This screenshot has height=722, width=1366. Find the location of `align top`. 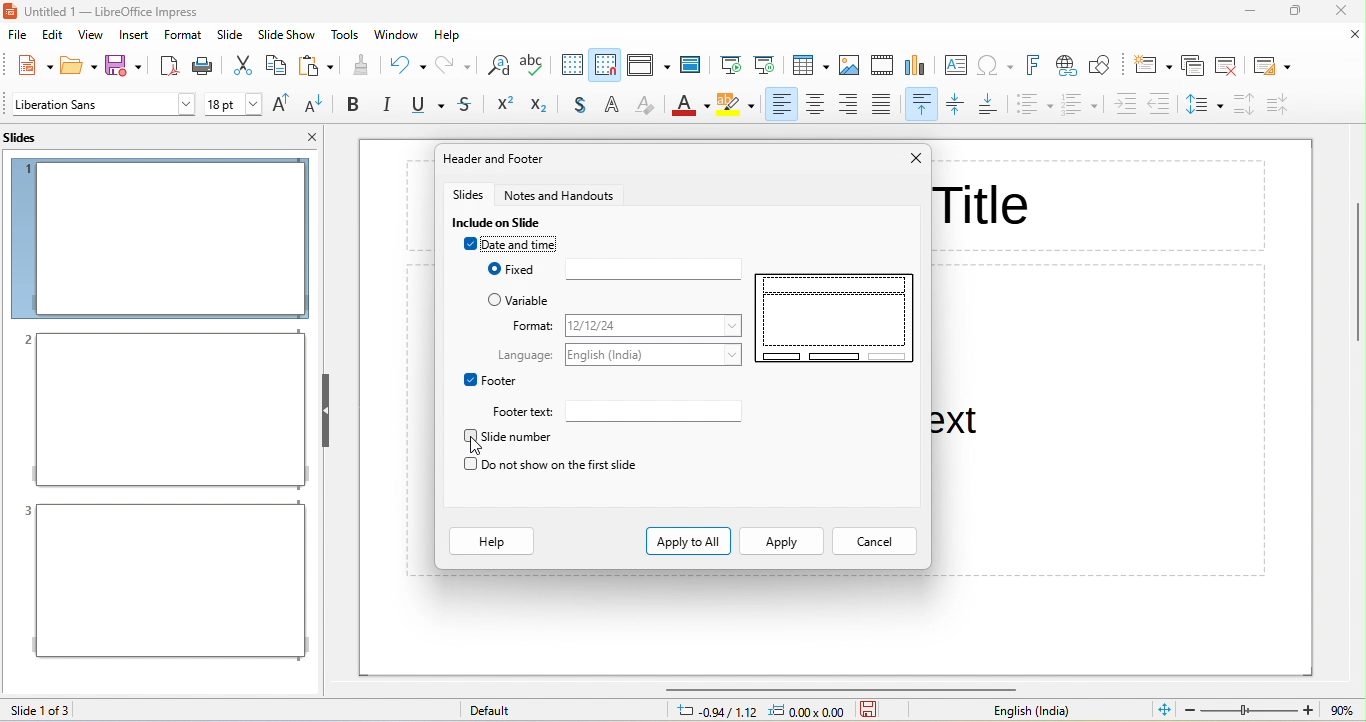

align top is located at coordinates (923, 105).